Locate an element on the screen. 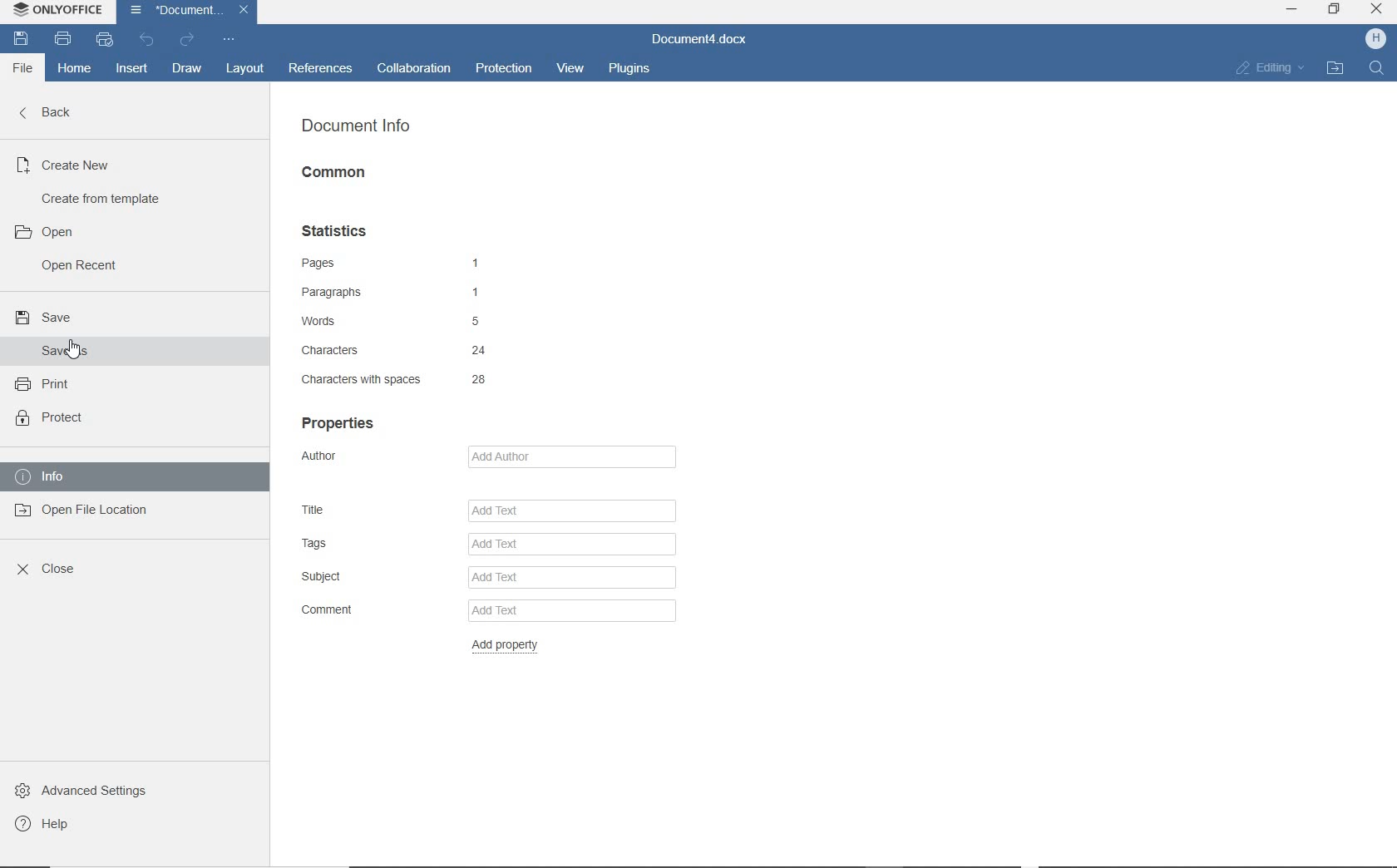  protect is located at coordinates (49, 418).